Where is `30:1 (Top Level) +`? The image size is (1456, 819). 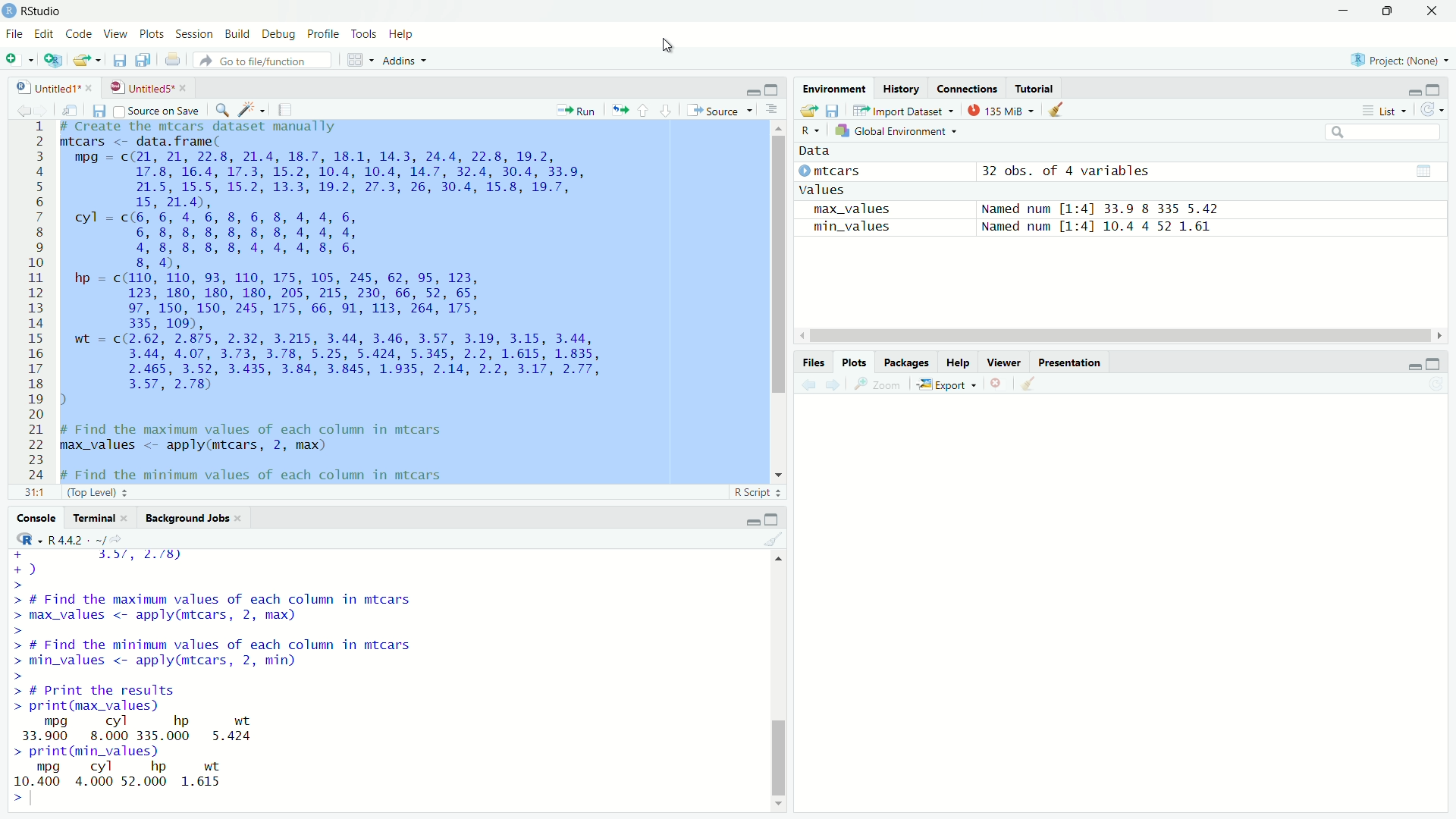
30:1 (Top Level) + is located at coordinates (75, 494).